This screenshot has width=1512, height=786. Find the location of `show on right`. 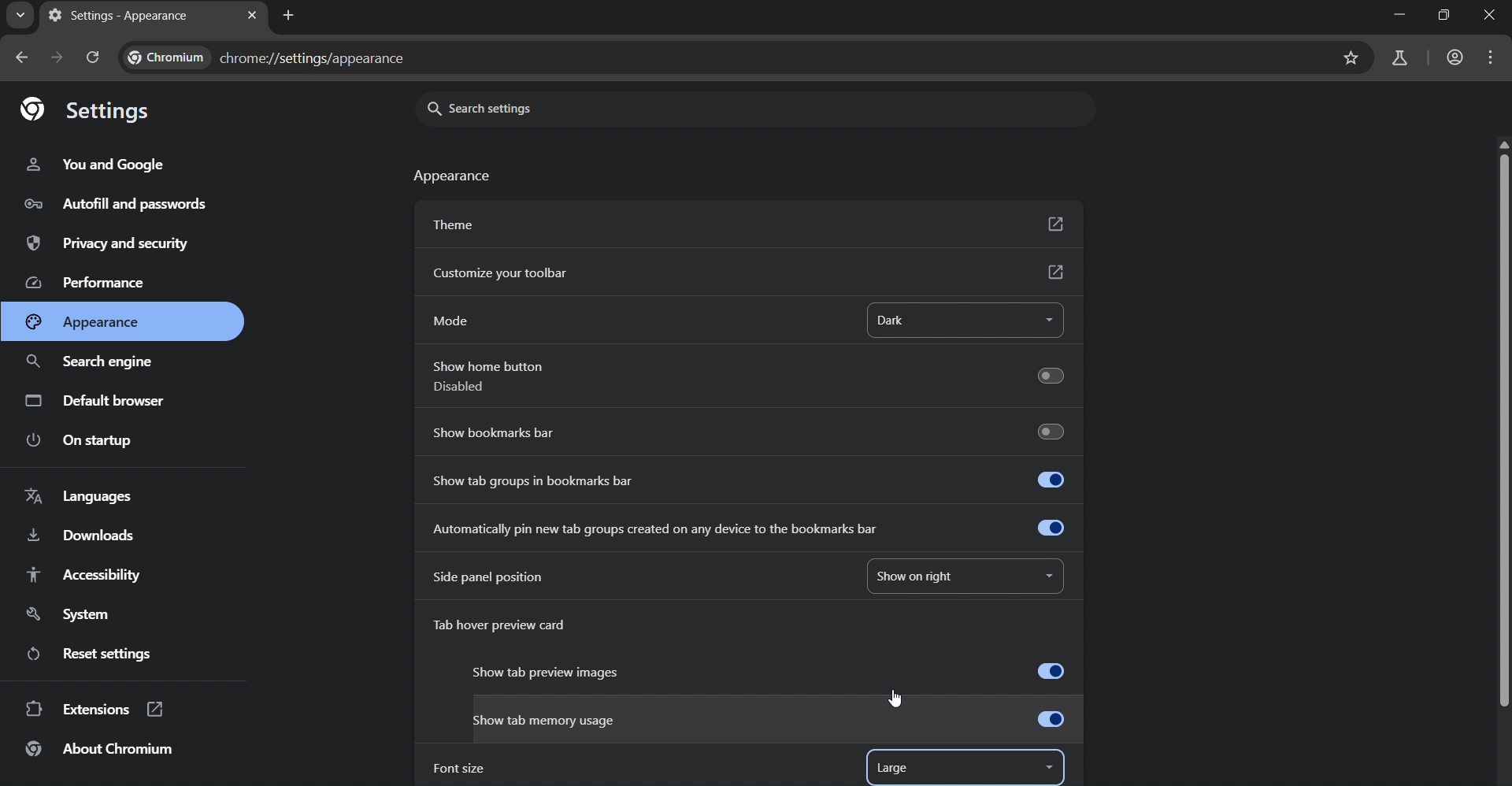

show on right is located at coordinates (927, 573).